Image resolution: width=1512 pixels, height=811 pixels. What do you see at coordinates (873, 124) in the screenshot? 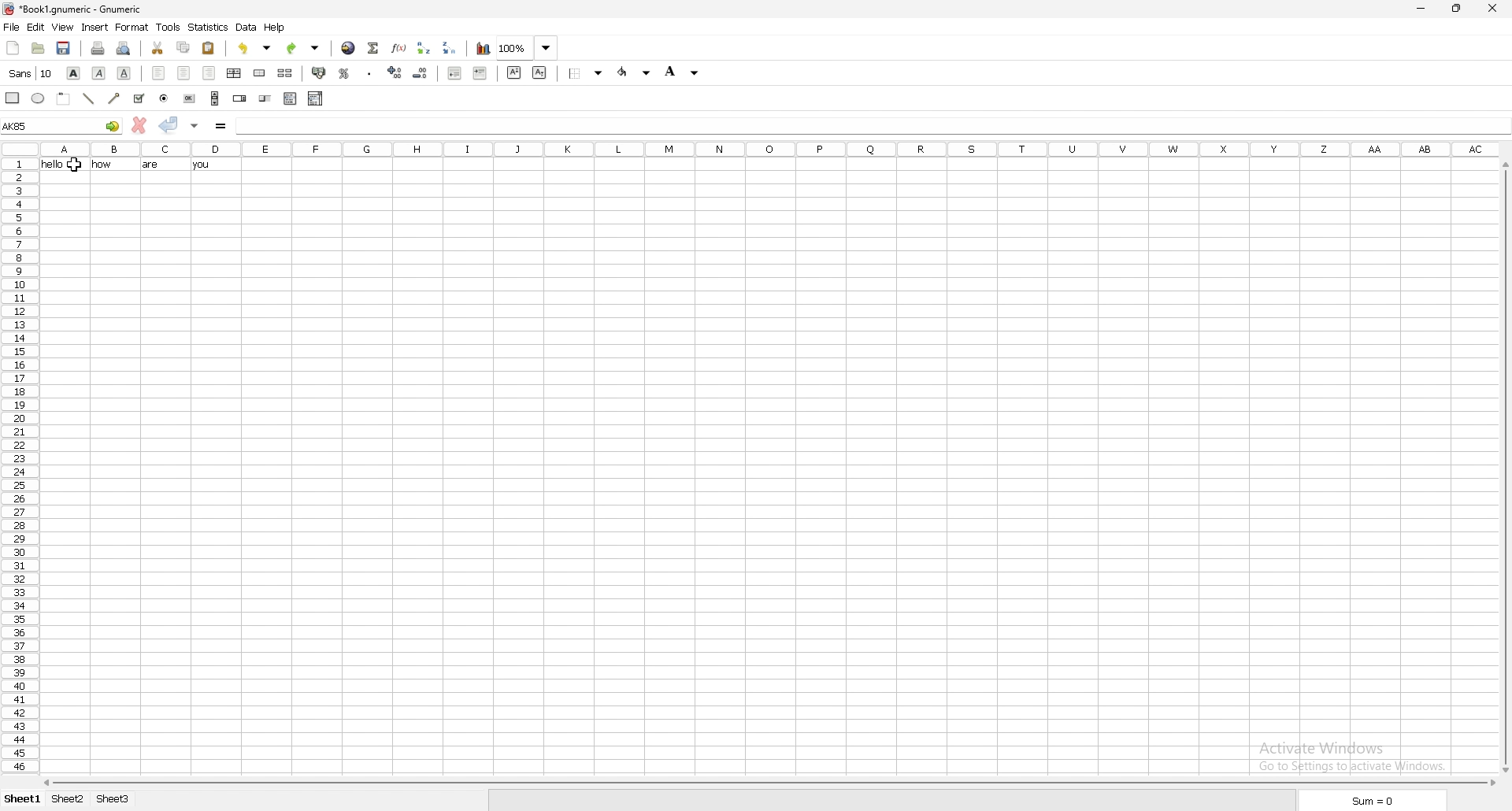
I see `cell input` at bounding box center [873, 124].